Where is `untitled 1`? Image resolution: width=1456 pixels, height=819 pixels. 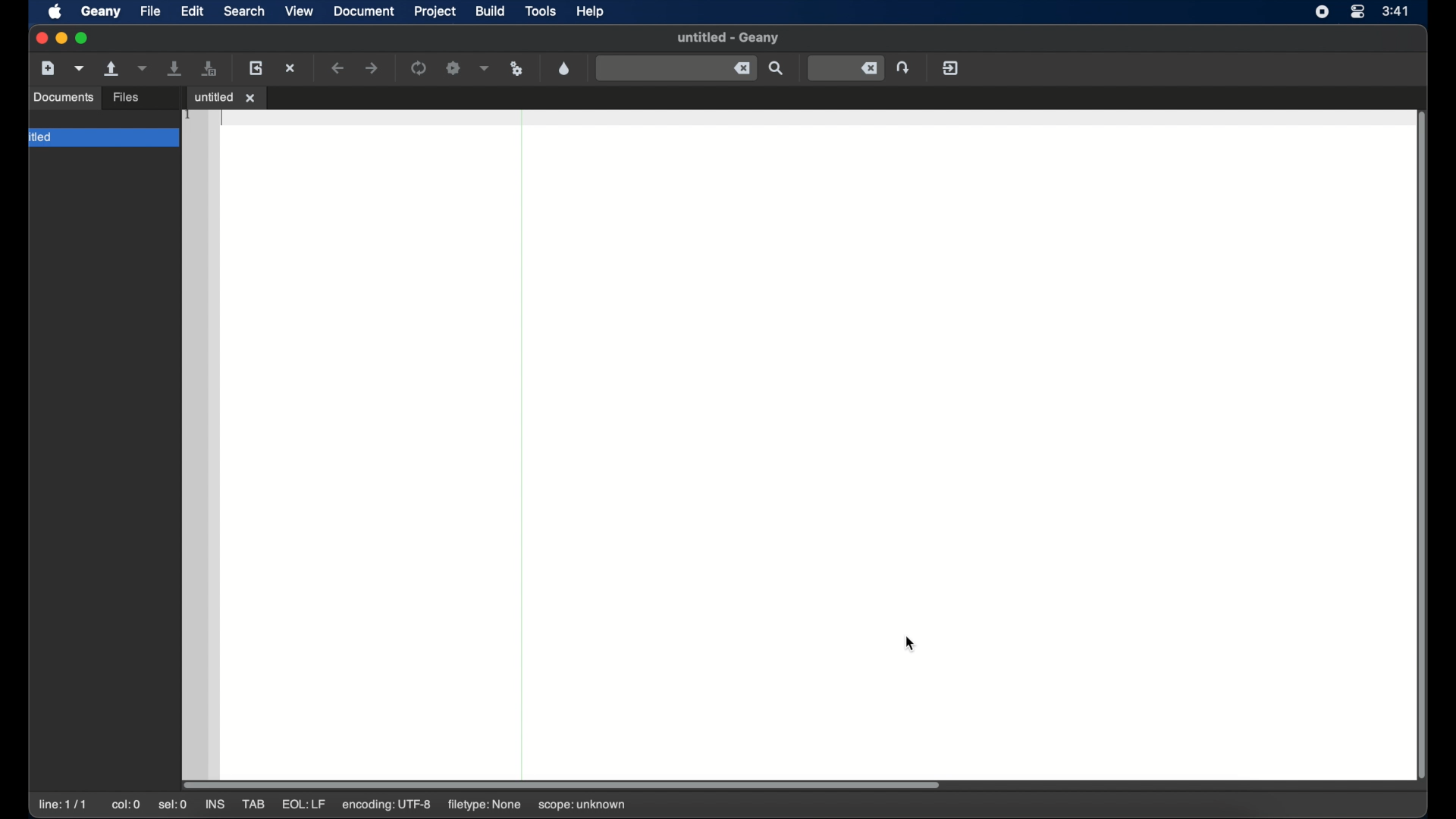
untitled 1 is located at coordinates (226, 96).